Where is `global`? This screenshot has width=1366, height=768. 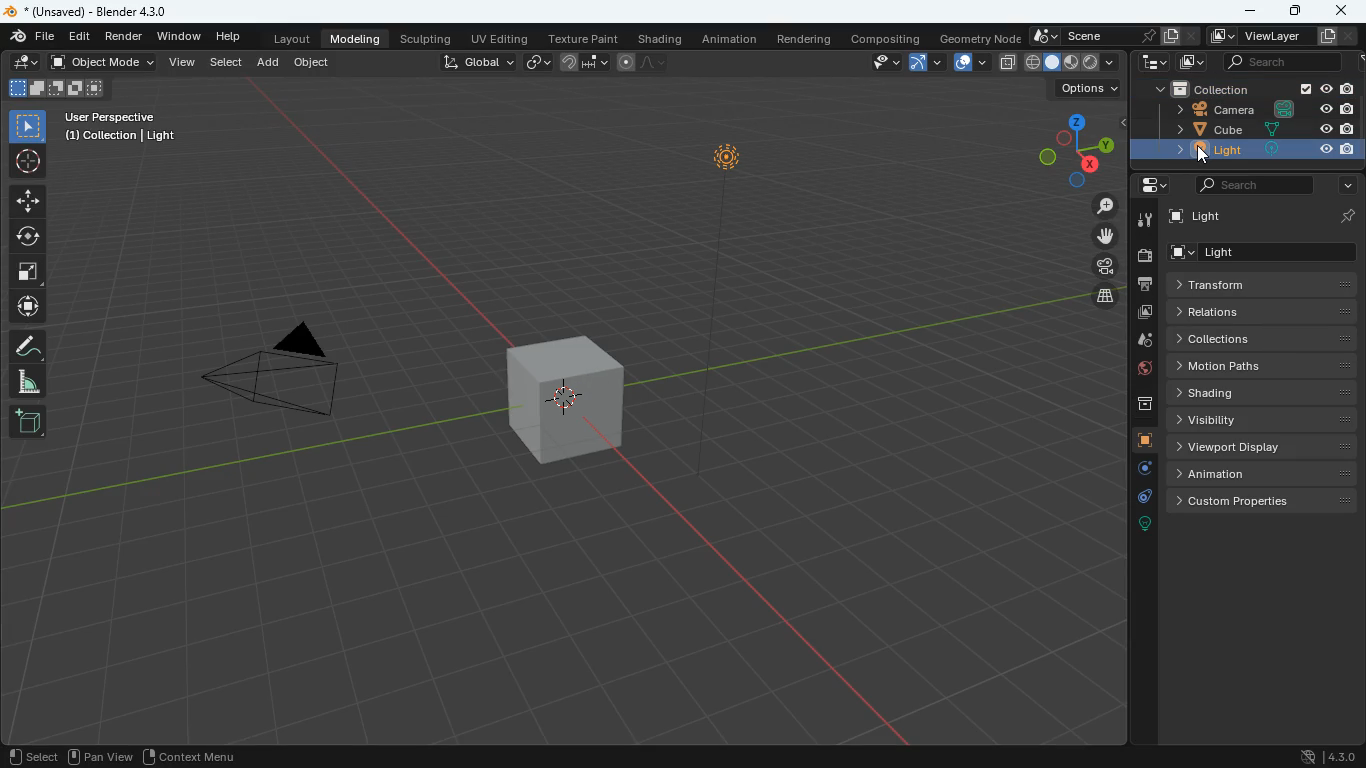
global is located at coordinates (1030, 63).